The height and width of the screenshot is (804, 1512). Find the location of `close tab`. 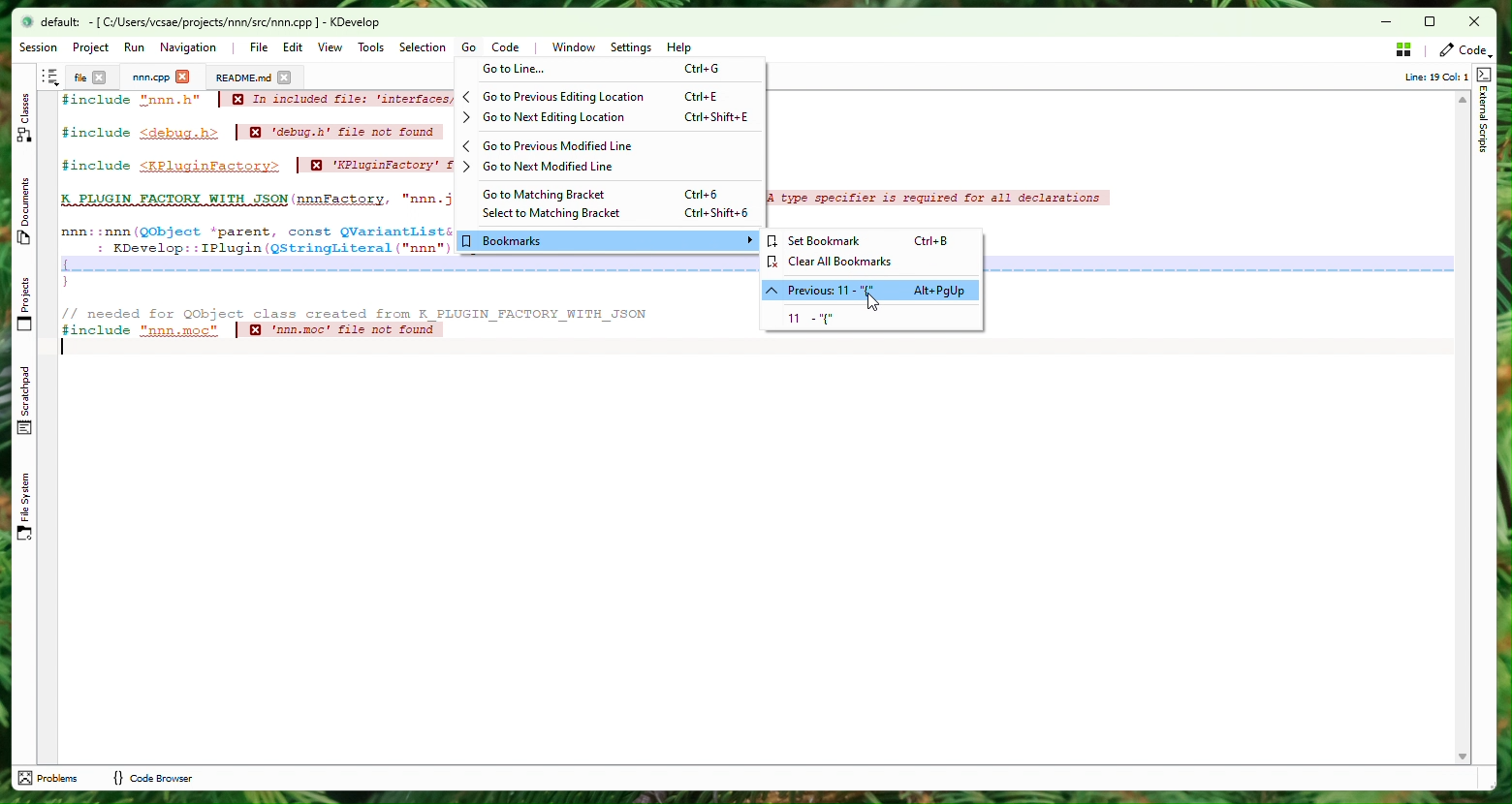

close tab is located at coordinates (100, 78).